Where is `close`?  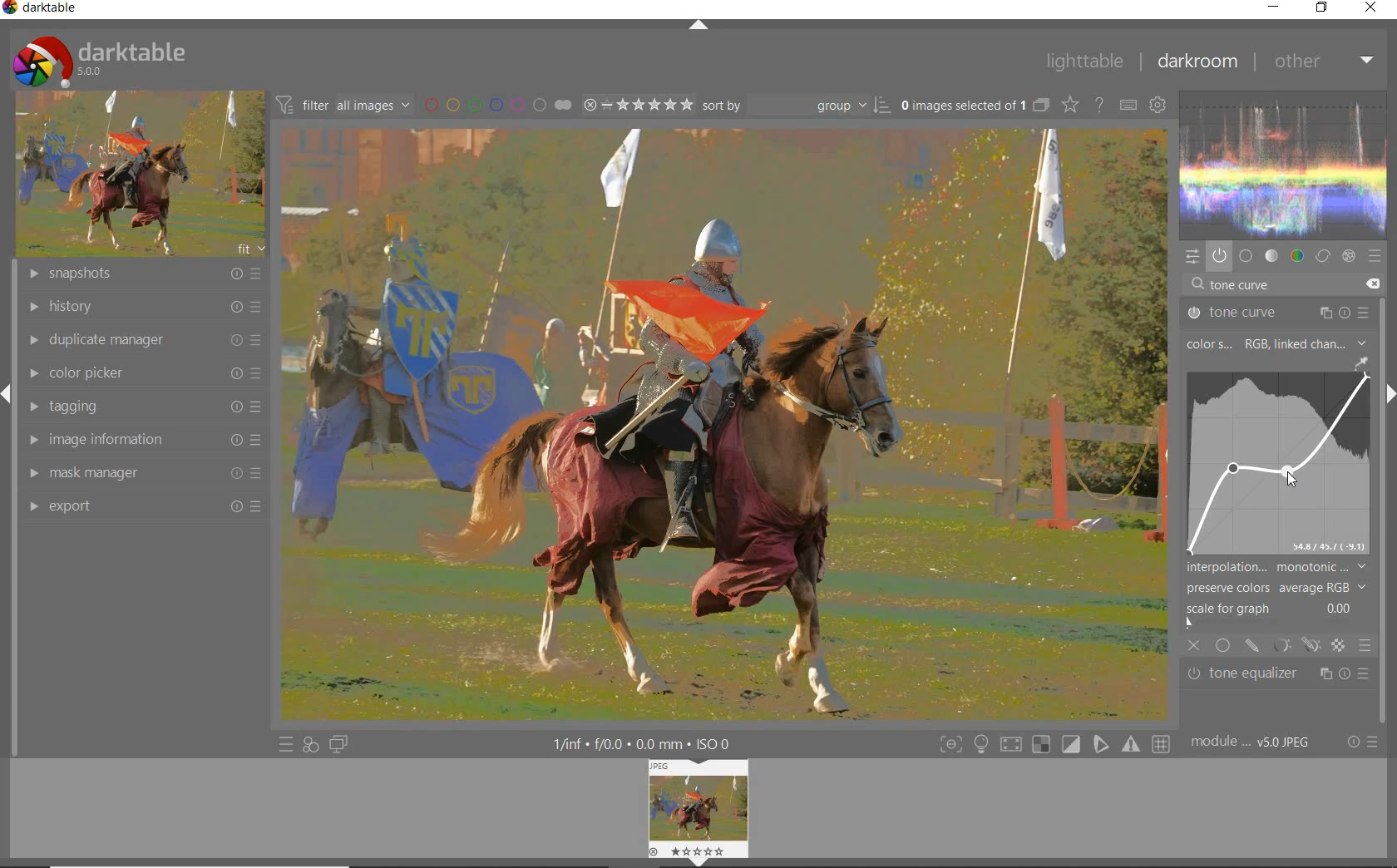 close is located at coordinates (1195, 647).